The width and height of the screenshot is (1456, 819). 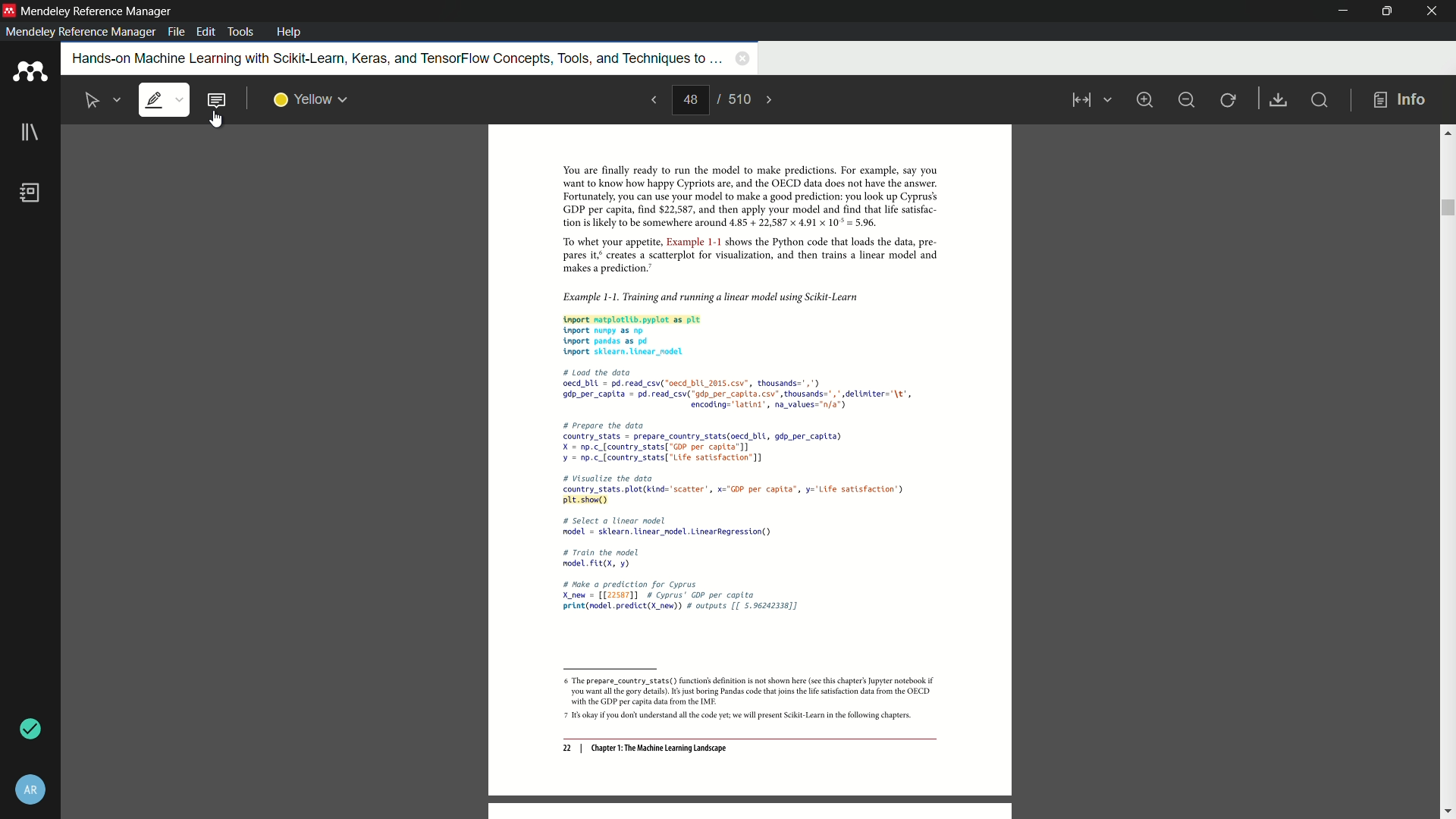 I want to click on 22 | Chapter 1: The Machine Learning Landscape, so click(x=645, y=749).